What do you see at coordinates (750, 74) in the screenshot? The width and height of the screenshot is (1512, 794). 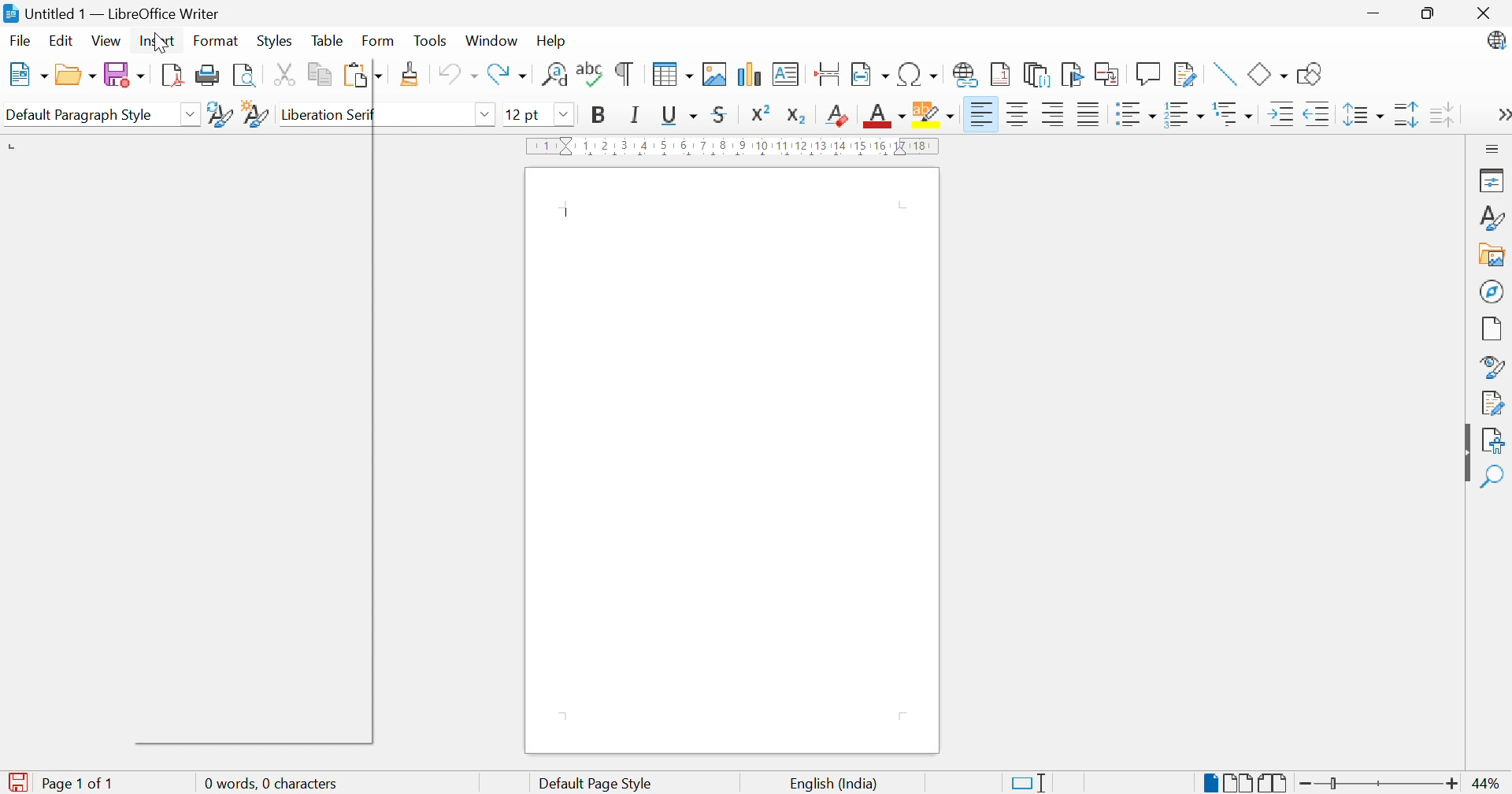 I see `Insert chart` at bounding box center [750, 74].